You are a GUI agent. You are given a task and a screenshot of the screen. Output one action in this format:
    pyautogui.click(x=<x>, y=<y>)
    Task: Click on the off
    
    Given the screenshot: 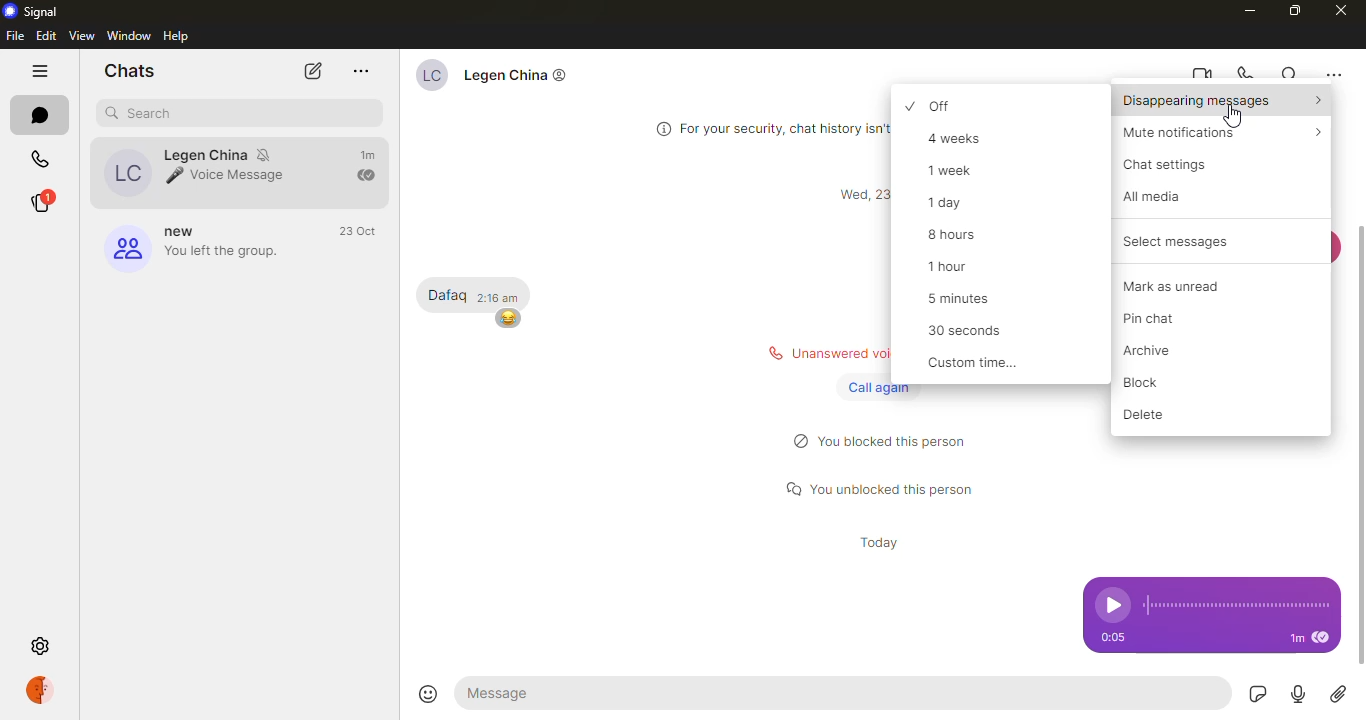 What is the action you would take?
    pyautogui.click(x=959, y=105)
    